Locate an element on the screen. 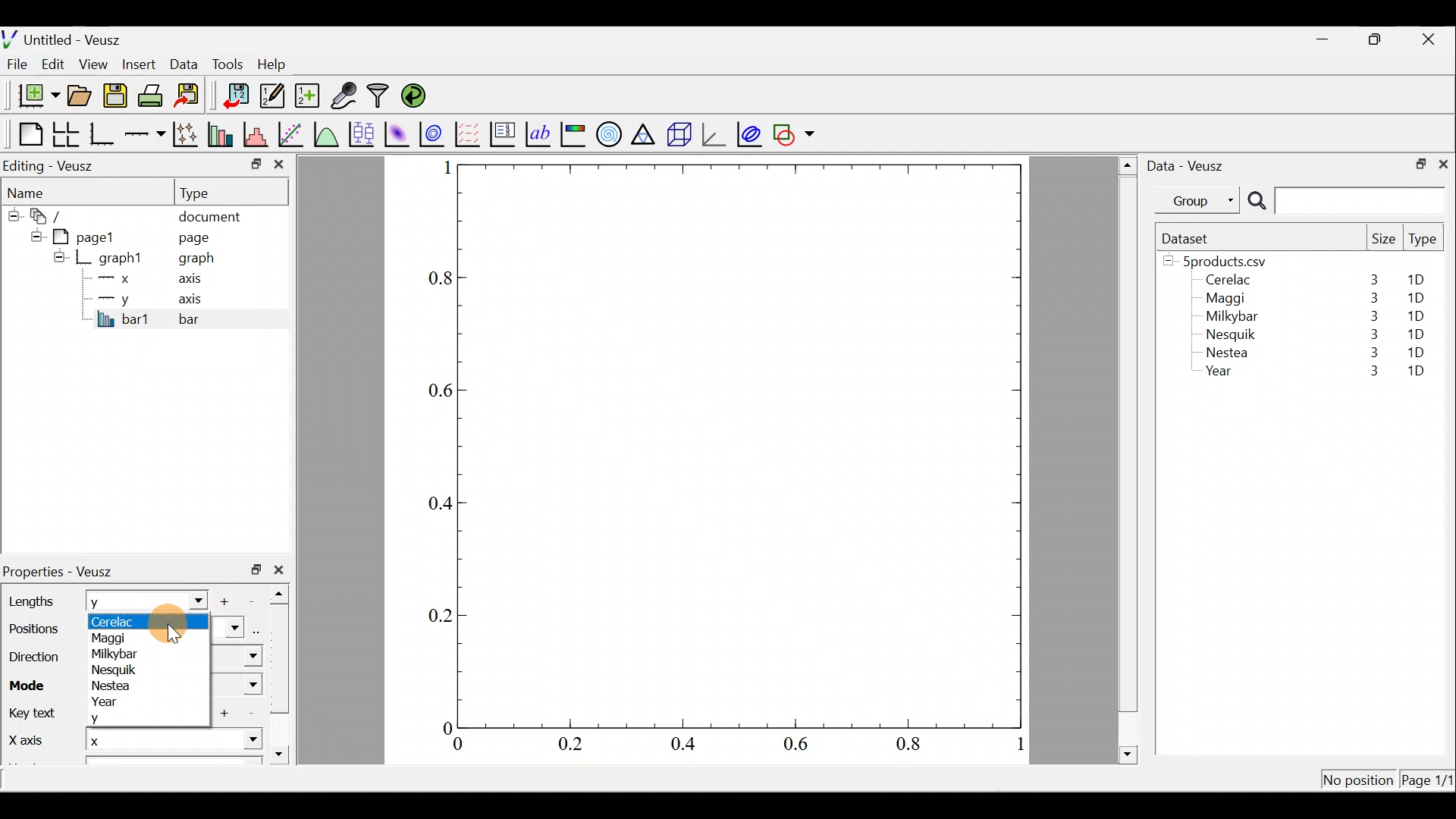 This screenshot has width=1456, height=819. Lengths is located at coordinates (32, 601).